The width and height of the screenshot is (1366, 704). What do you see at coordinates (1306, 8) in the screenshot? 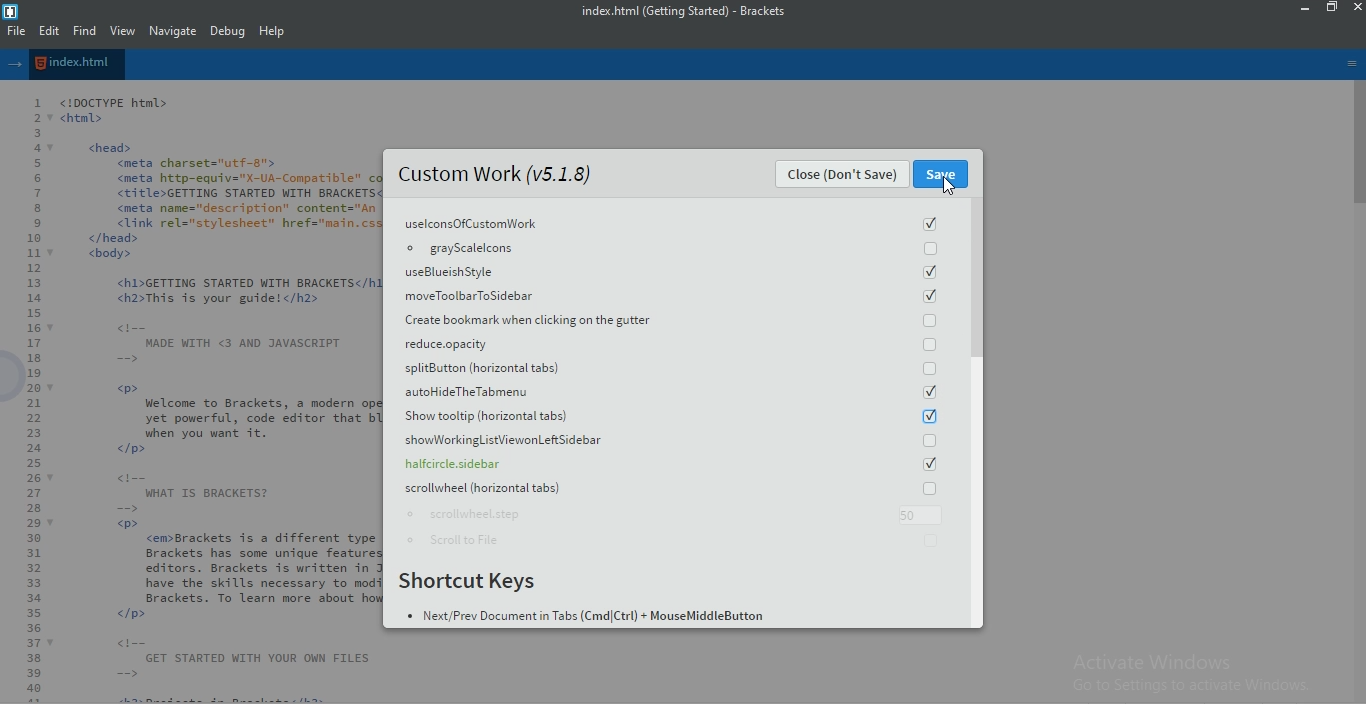
I see `minimize` at bounding box center [1306, 8].